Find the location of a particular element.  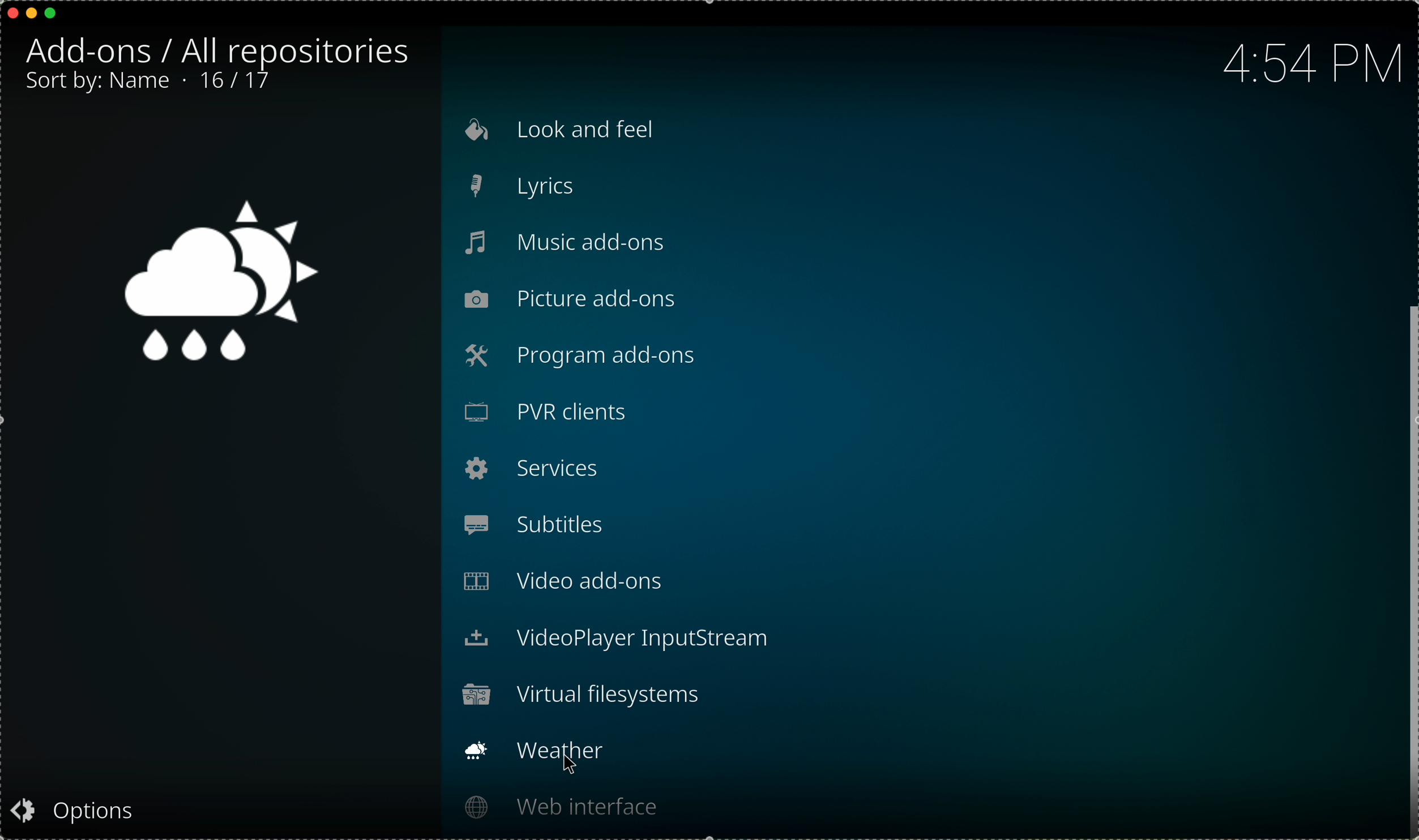

program add-ons is located at coordinates (608, 355).